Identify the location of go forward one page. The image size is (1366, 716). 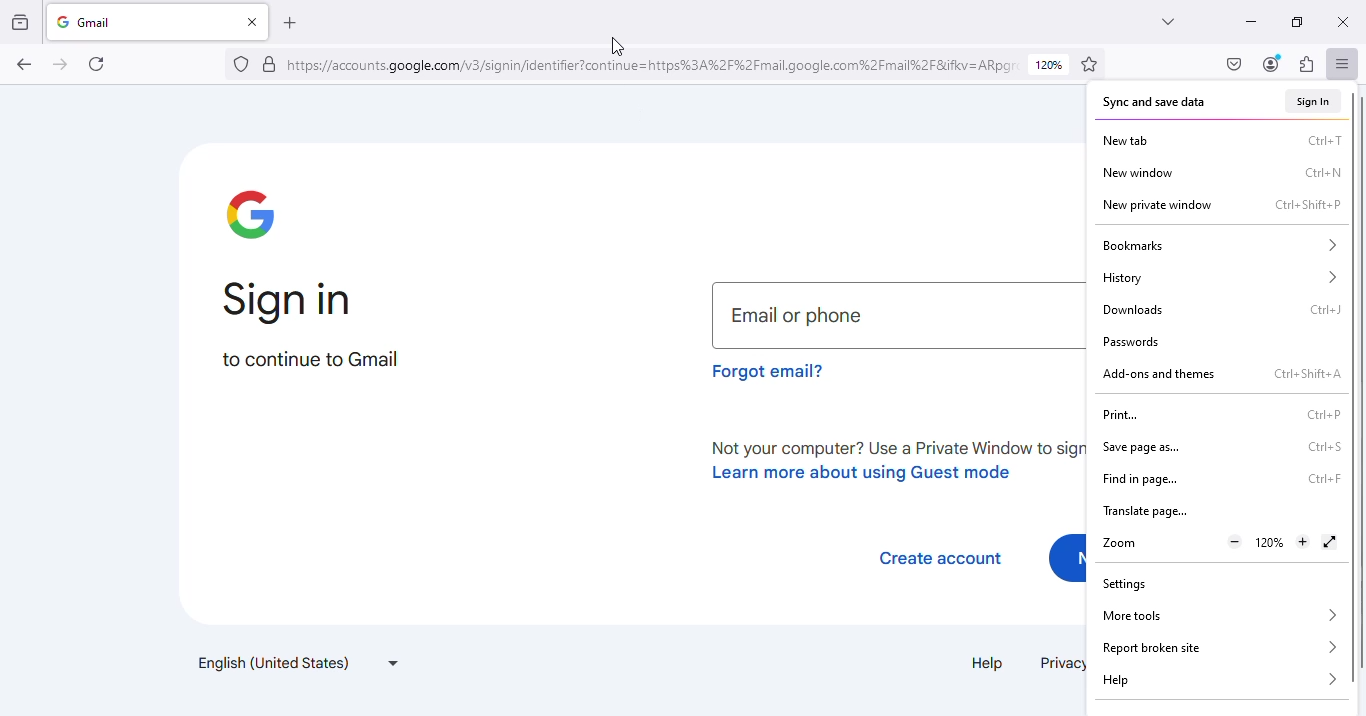
(61, 65).